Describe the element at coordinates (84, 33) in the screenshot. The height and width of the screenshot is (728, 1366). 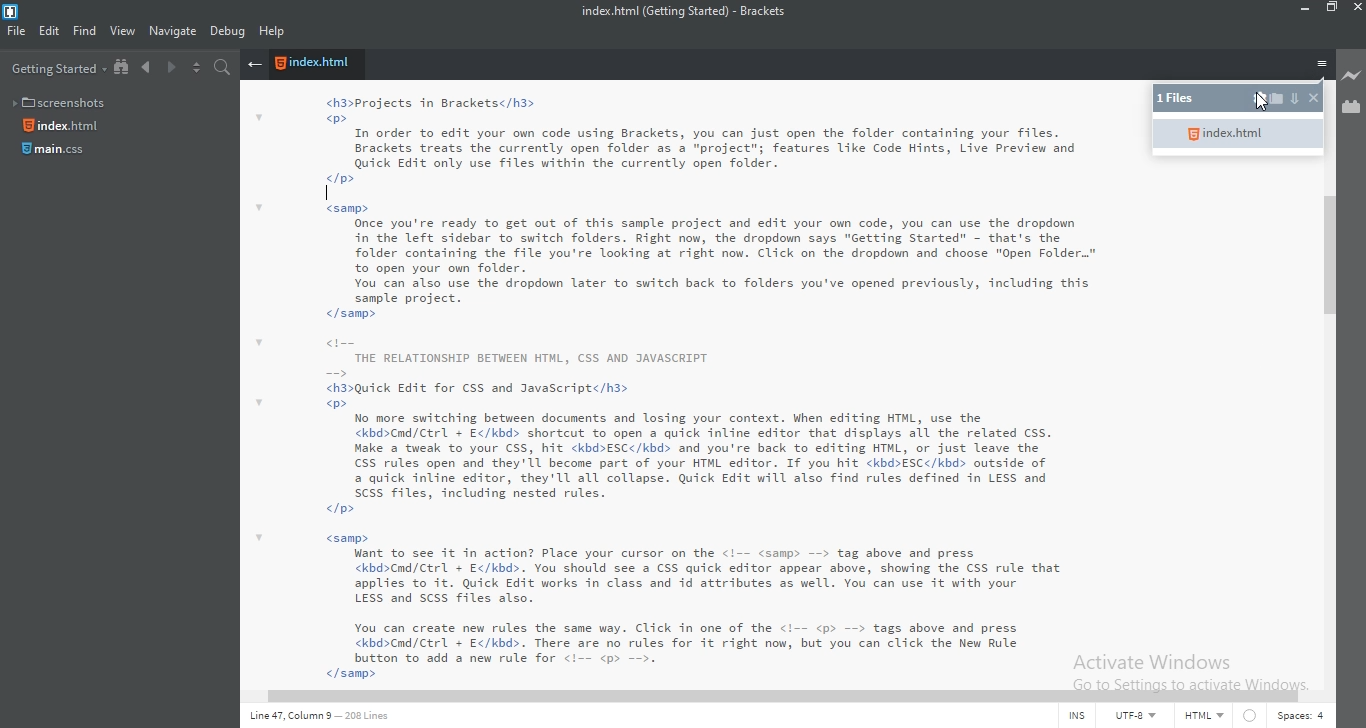
I see `Find` at that location.